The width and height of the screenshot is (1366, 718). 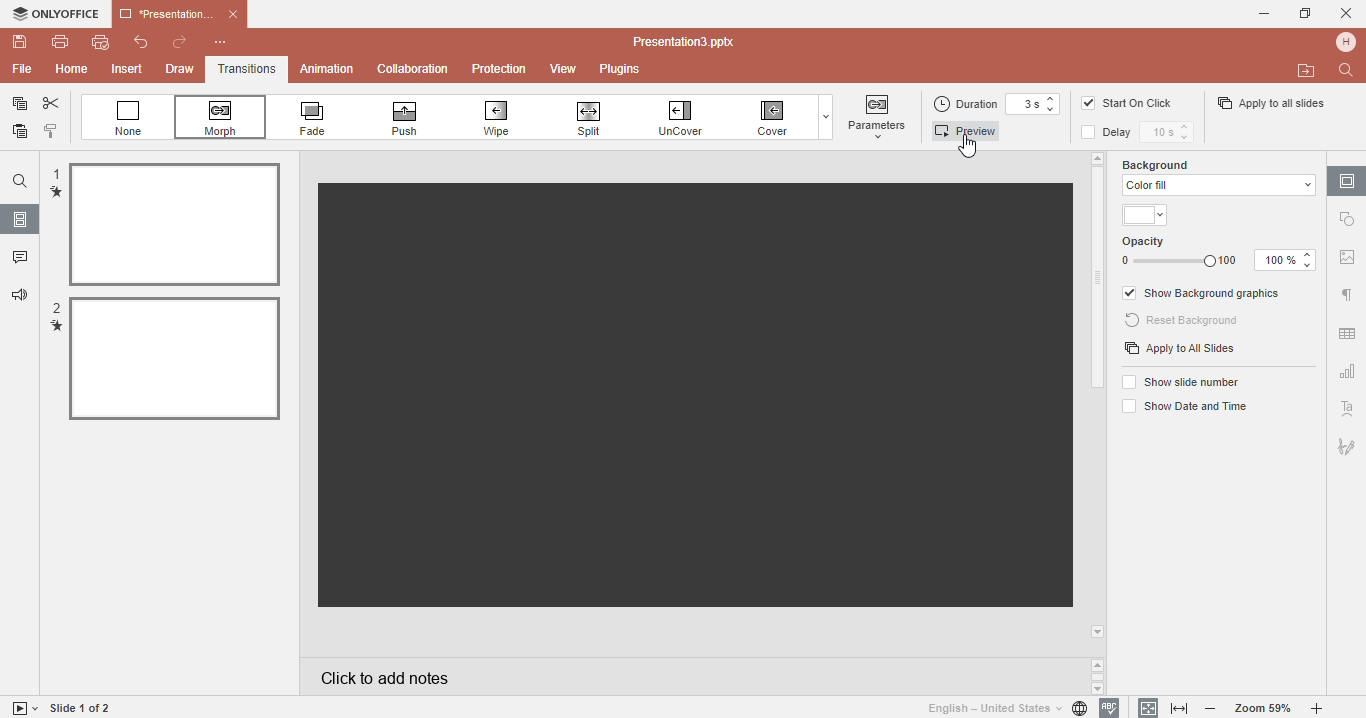 What do you see at coordinates (1180, 350) in the screenshot?
I see `Apply to all slides` at bounding box center [1180, 350].